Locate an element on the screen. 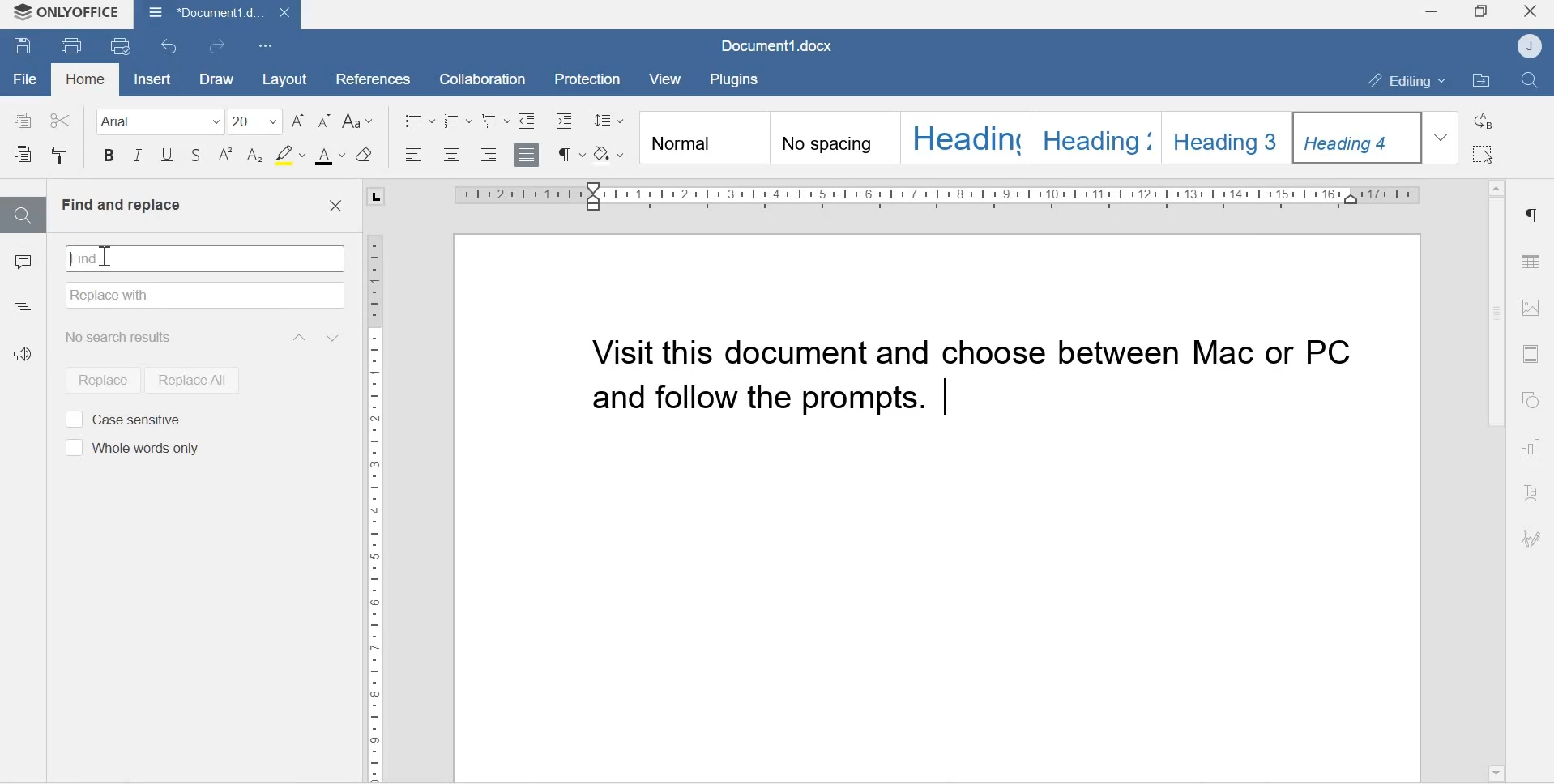  Clear style is located at coordinates (365, 155).